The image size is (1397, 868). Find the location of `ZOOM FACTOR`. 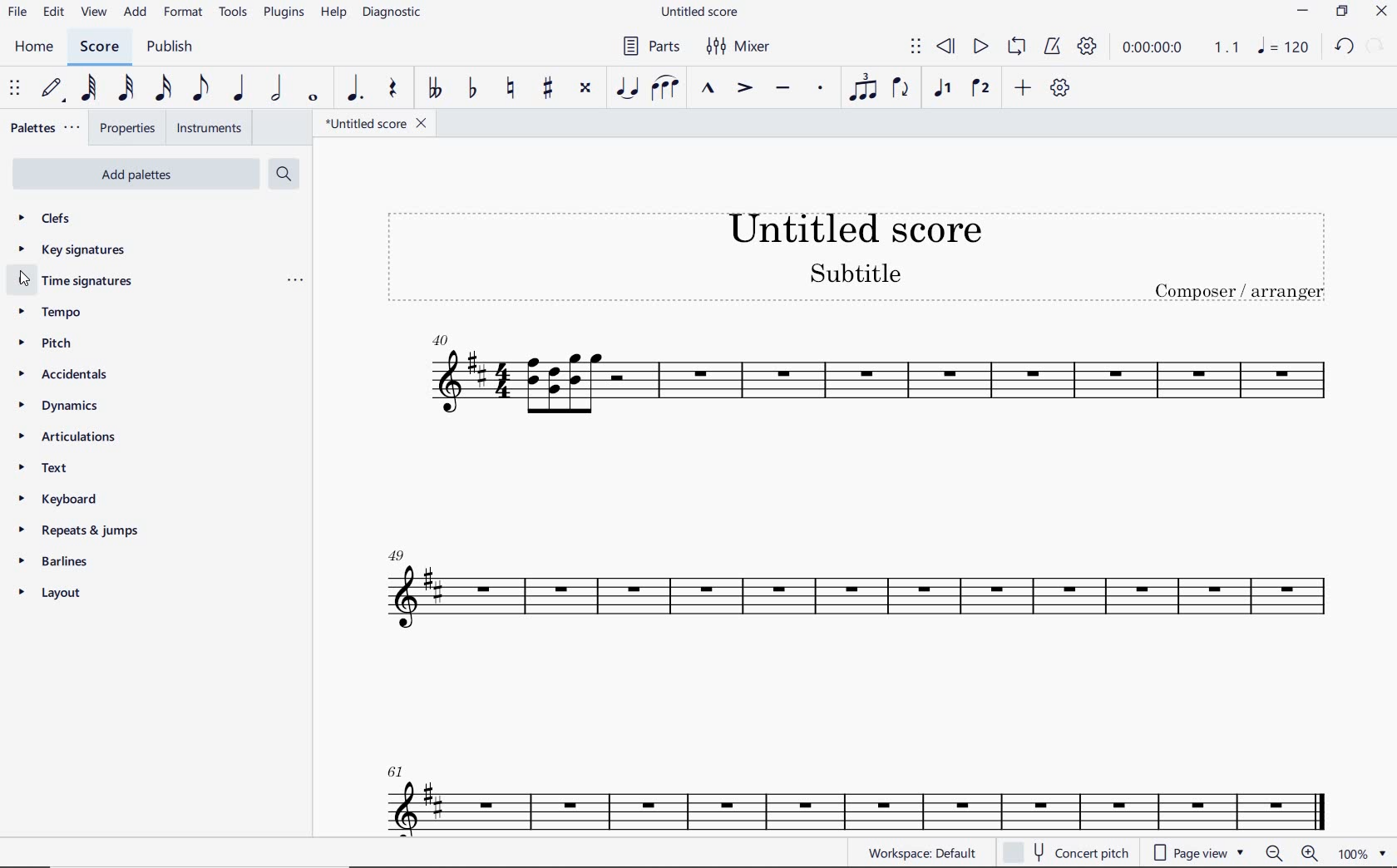

ZOOM FACTOR is located at coordinates (1361, 854).